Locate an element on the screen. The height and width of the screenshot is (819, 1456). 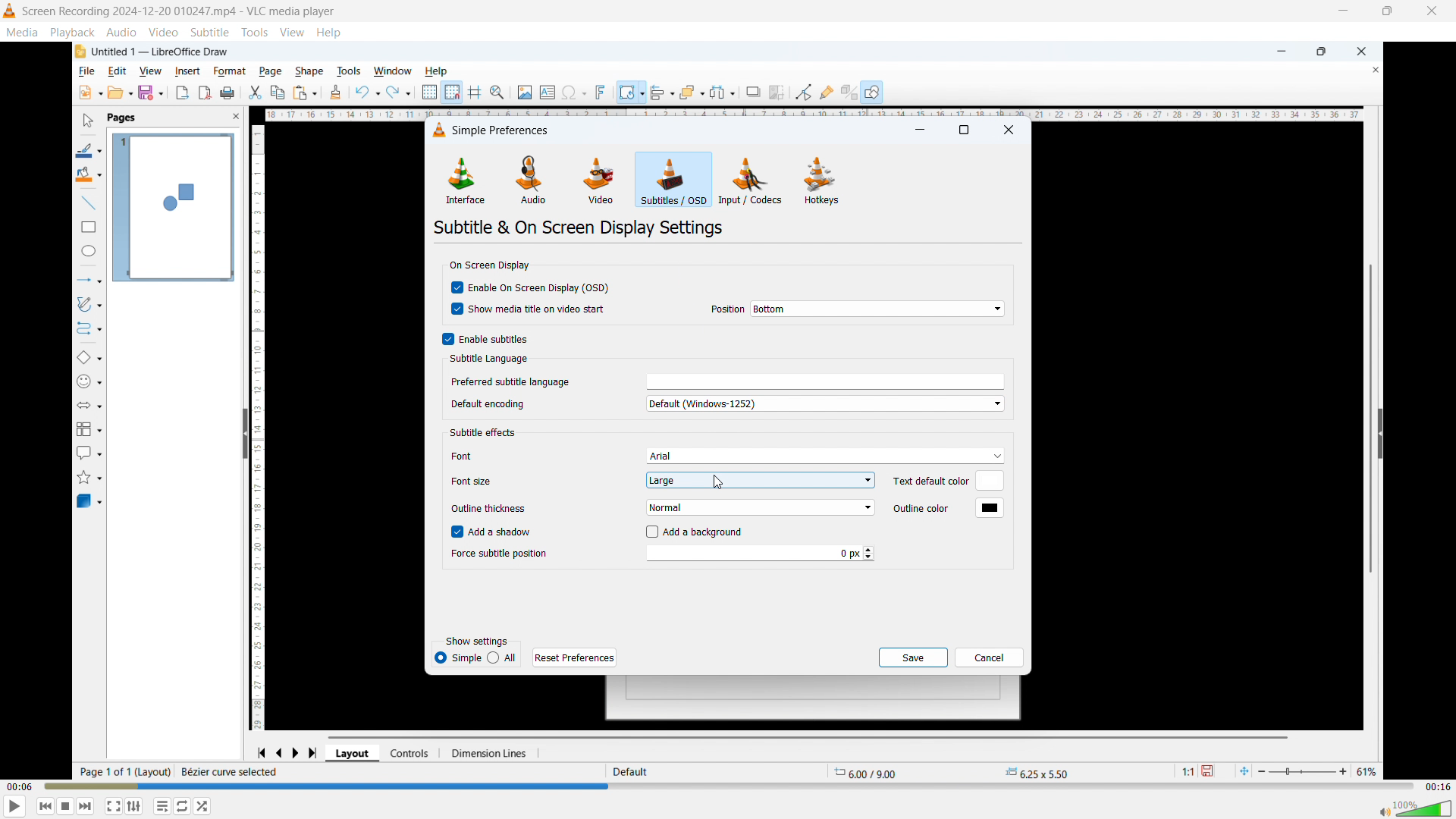
Outline thickness is located at coordinates (488, 508).